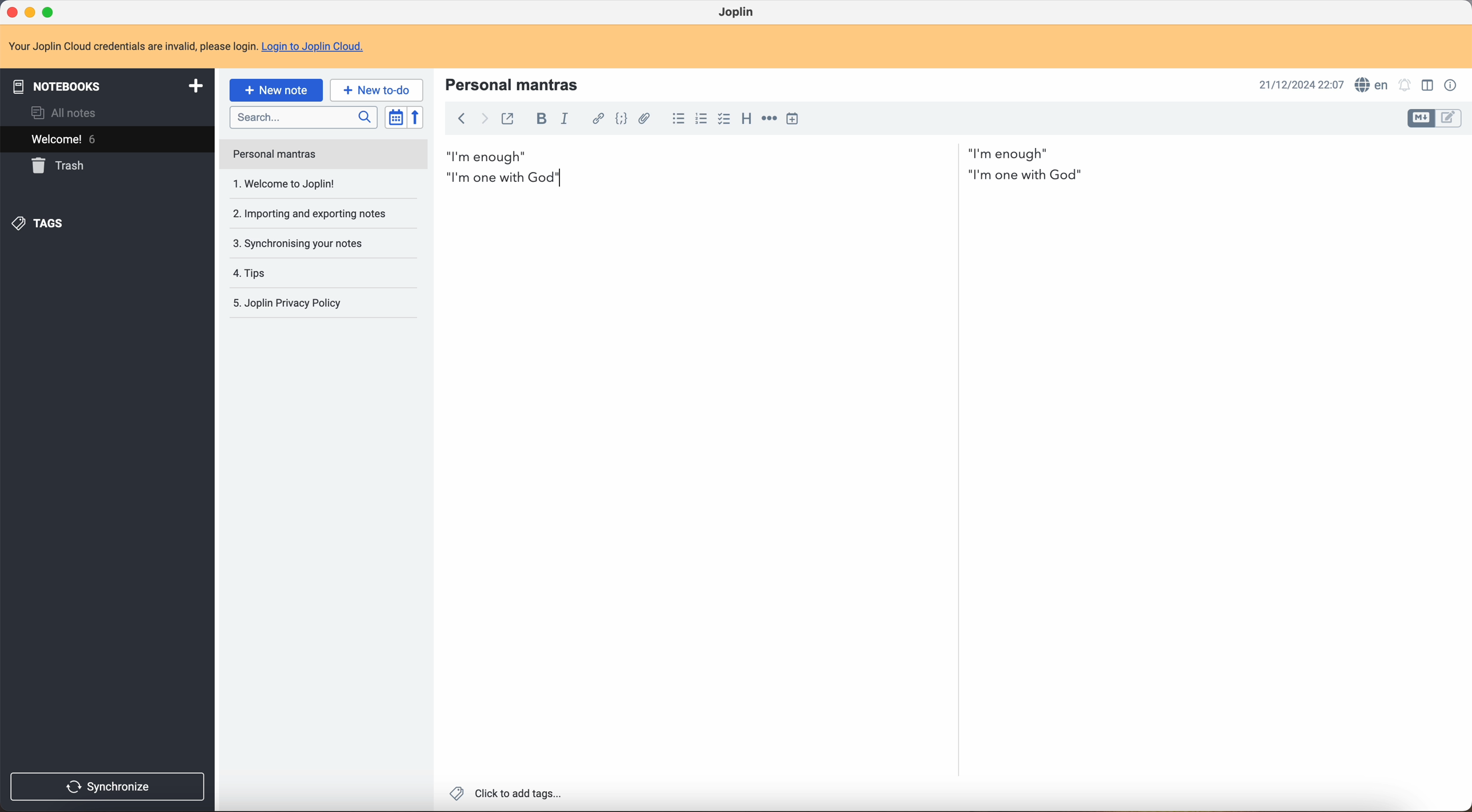  What do you see at coordinates (309, 183) in the screenshot?
I see `importing and exporting notes` at bounding box center [309, 183].